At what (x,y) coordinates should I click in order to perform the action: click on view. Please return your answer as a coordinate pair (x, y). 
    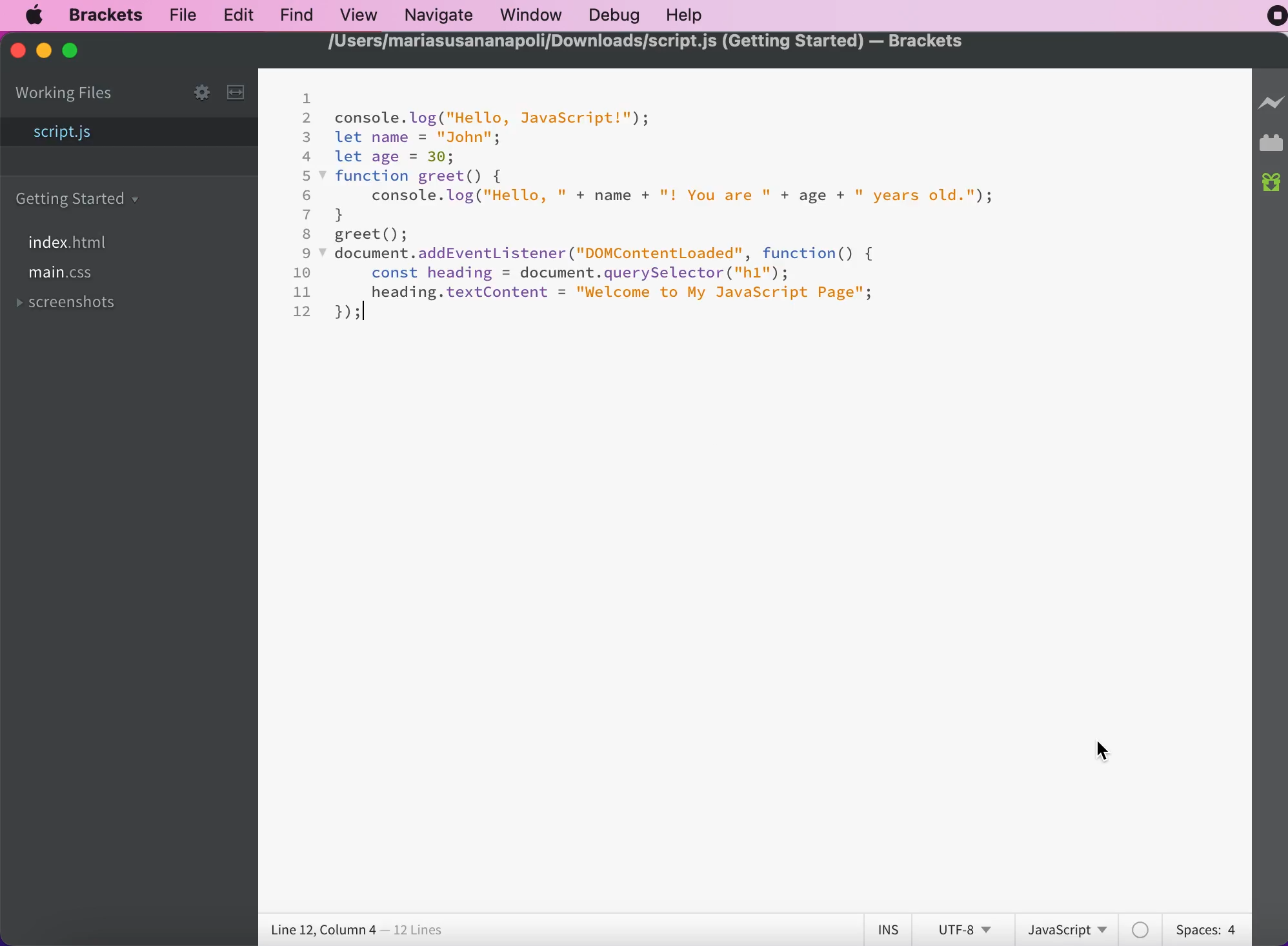
    Looking at the image, I should click on (356, 14).